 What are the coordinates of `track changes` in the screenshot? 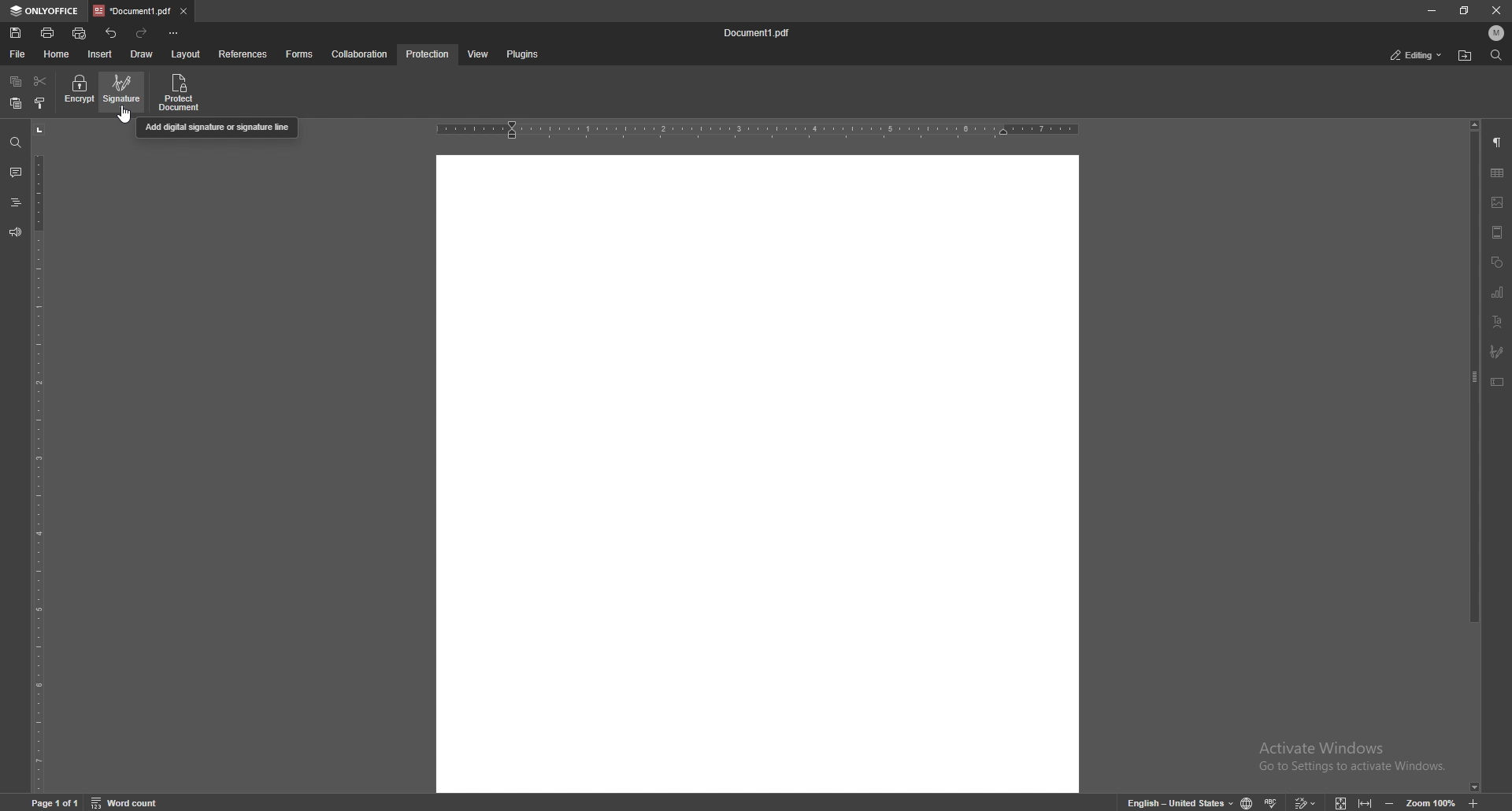 It's located at (1303, 801).